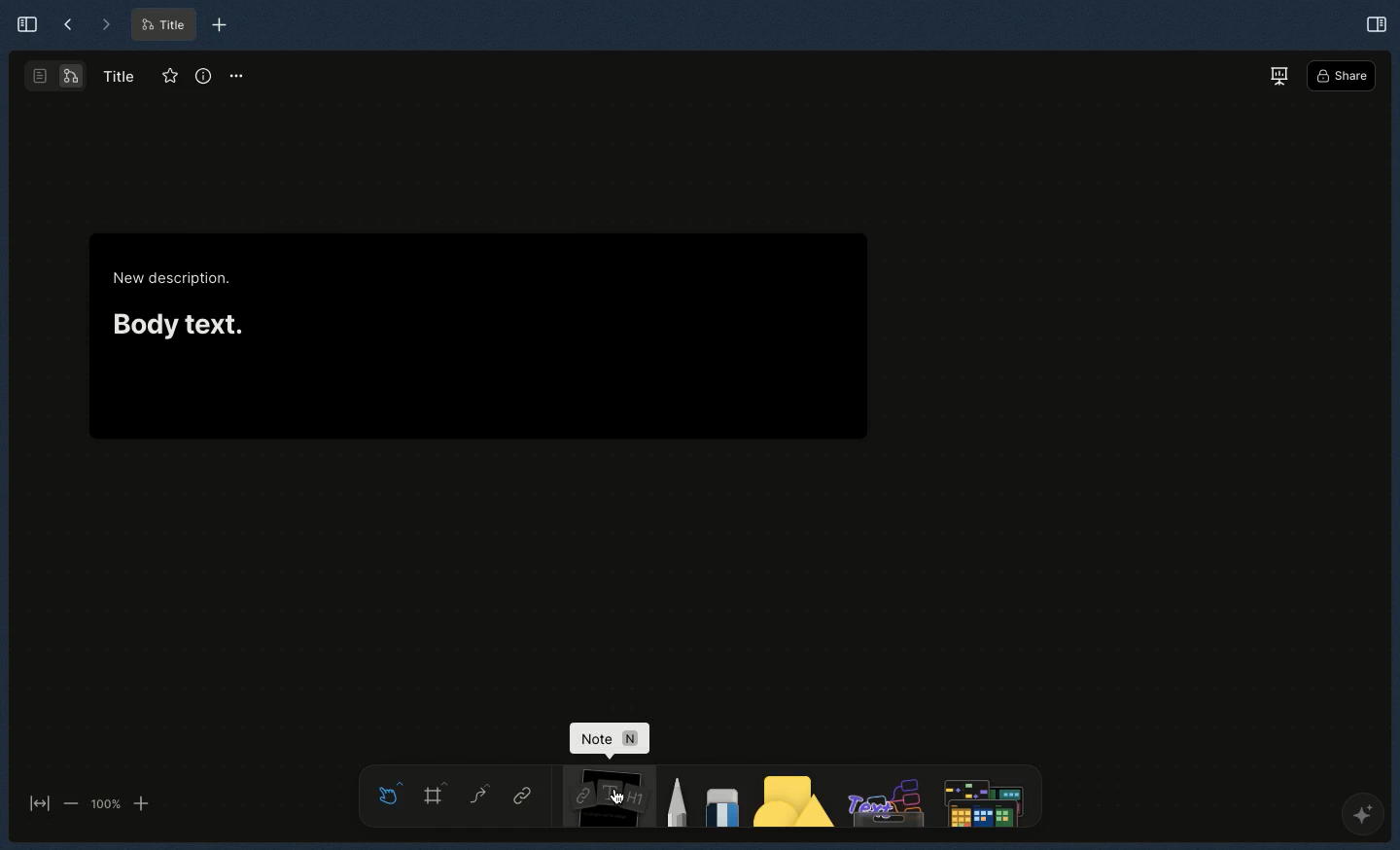 The width and height of the screenshot is (1400, 850). Describe the element at coordinates (37, 805) in the screenshot. I see `Fit to screen` at that location.